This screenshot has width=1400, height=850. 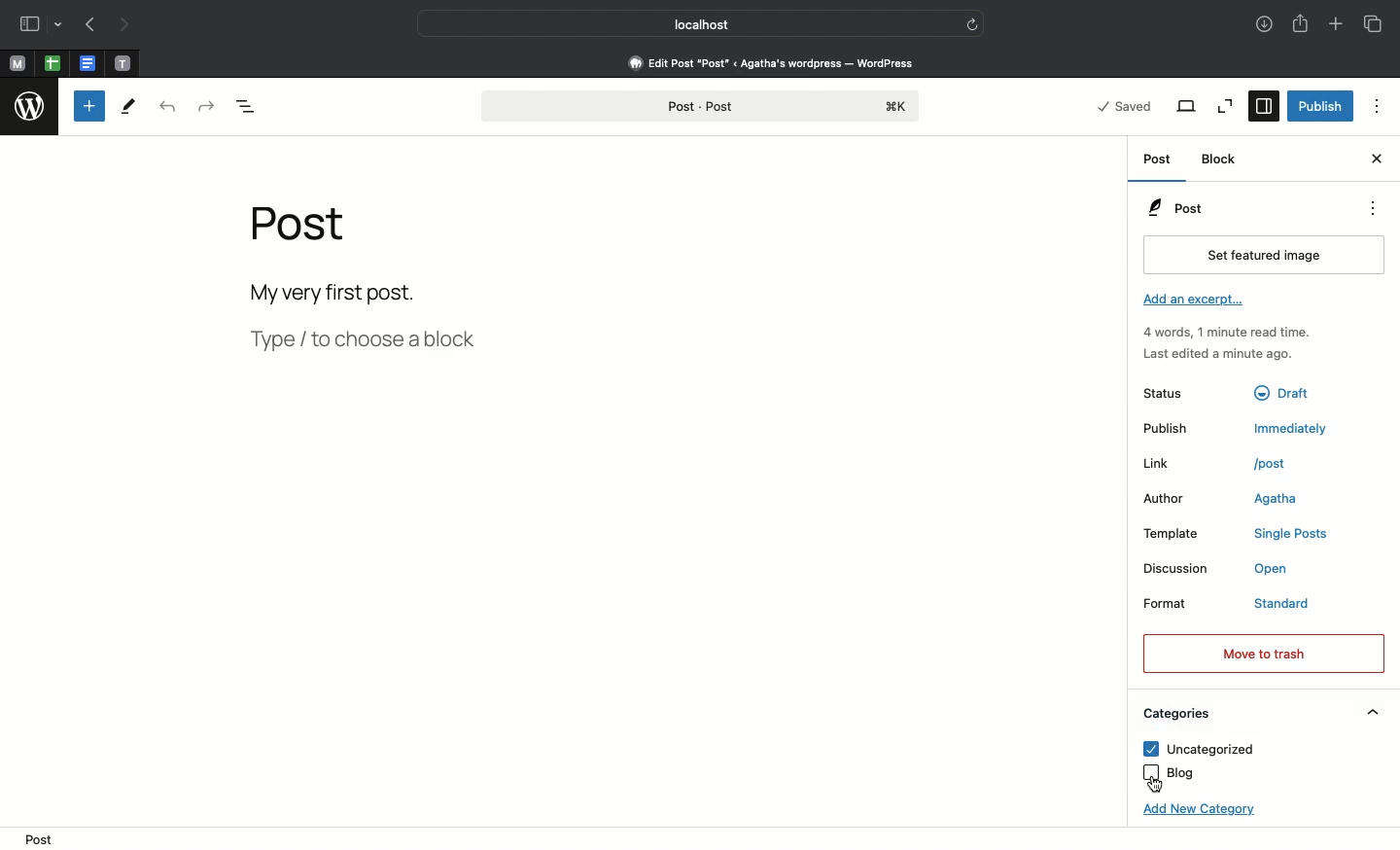 What do you see at coordinates (60, 26) in the screenshot?
I see `drop-down` at bounding box center [60, 26].